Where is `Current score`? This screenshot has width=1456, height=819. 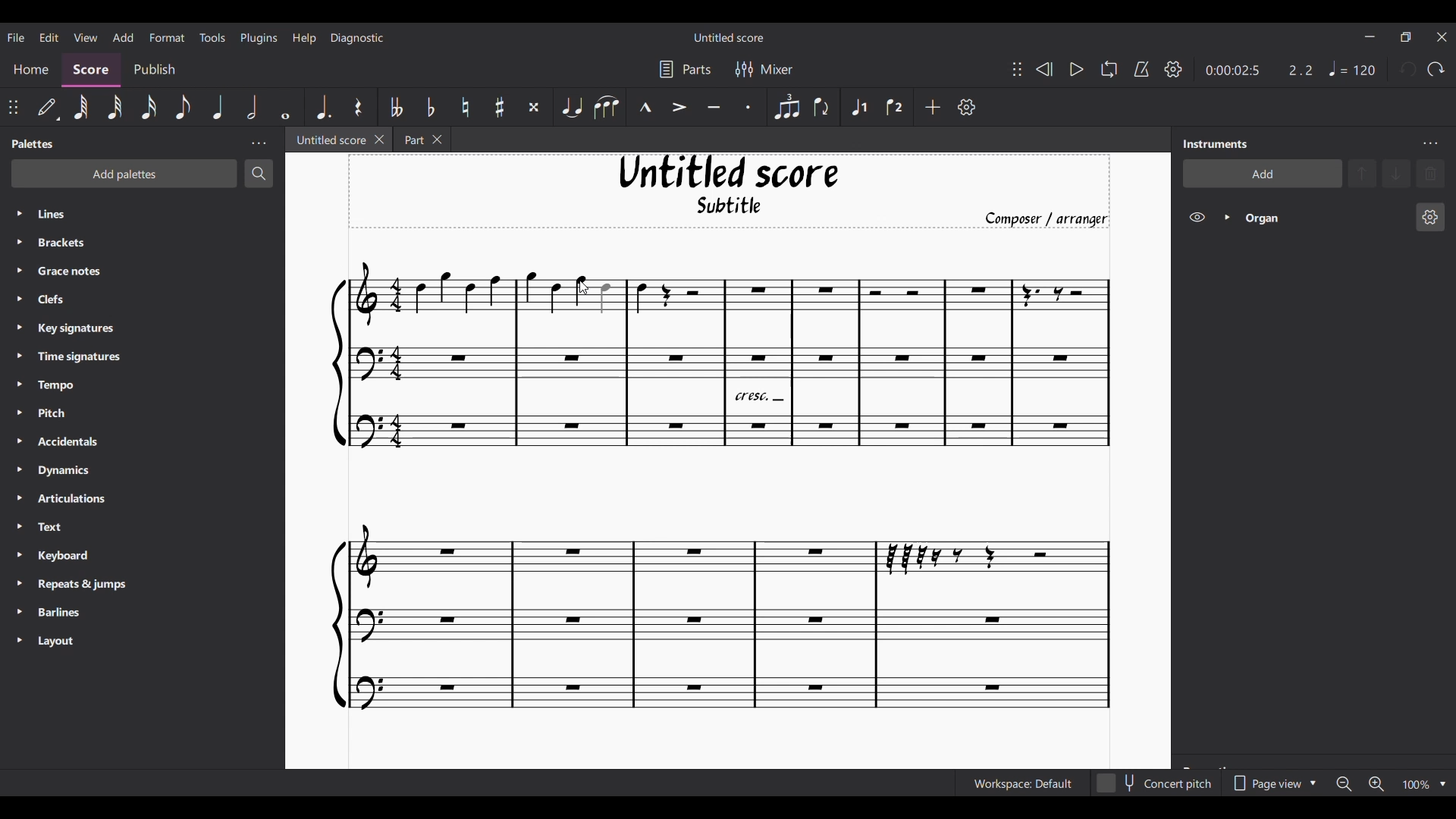
Current score is located at coordinates (721, 488).